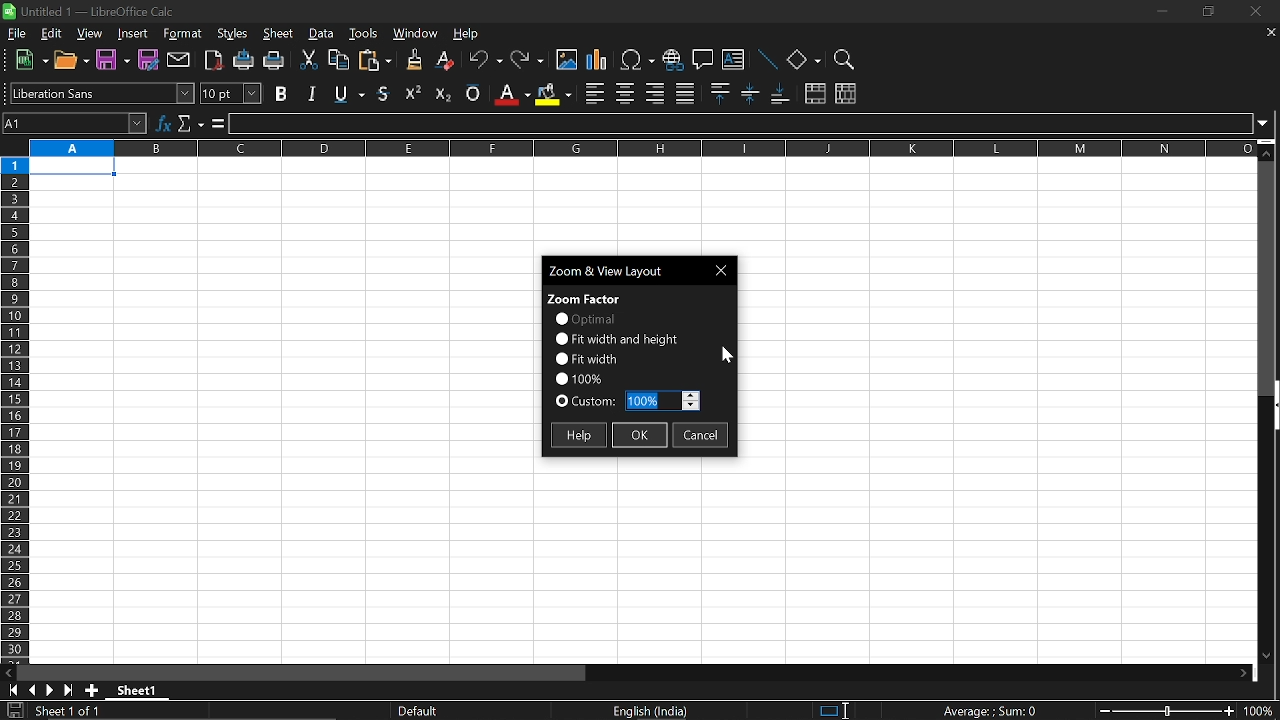 This screenshot has height=720, width=1280. Describe the element at coordinates (13, 408) in the screenshot. I see `rows` at that location.